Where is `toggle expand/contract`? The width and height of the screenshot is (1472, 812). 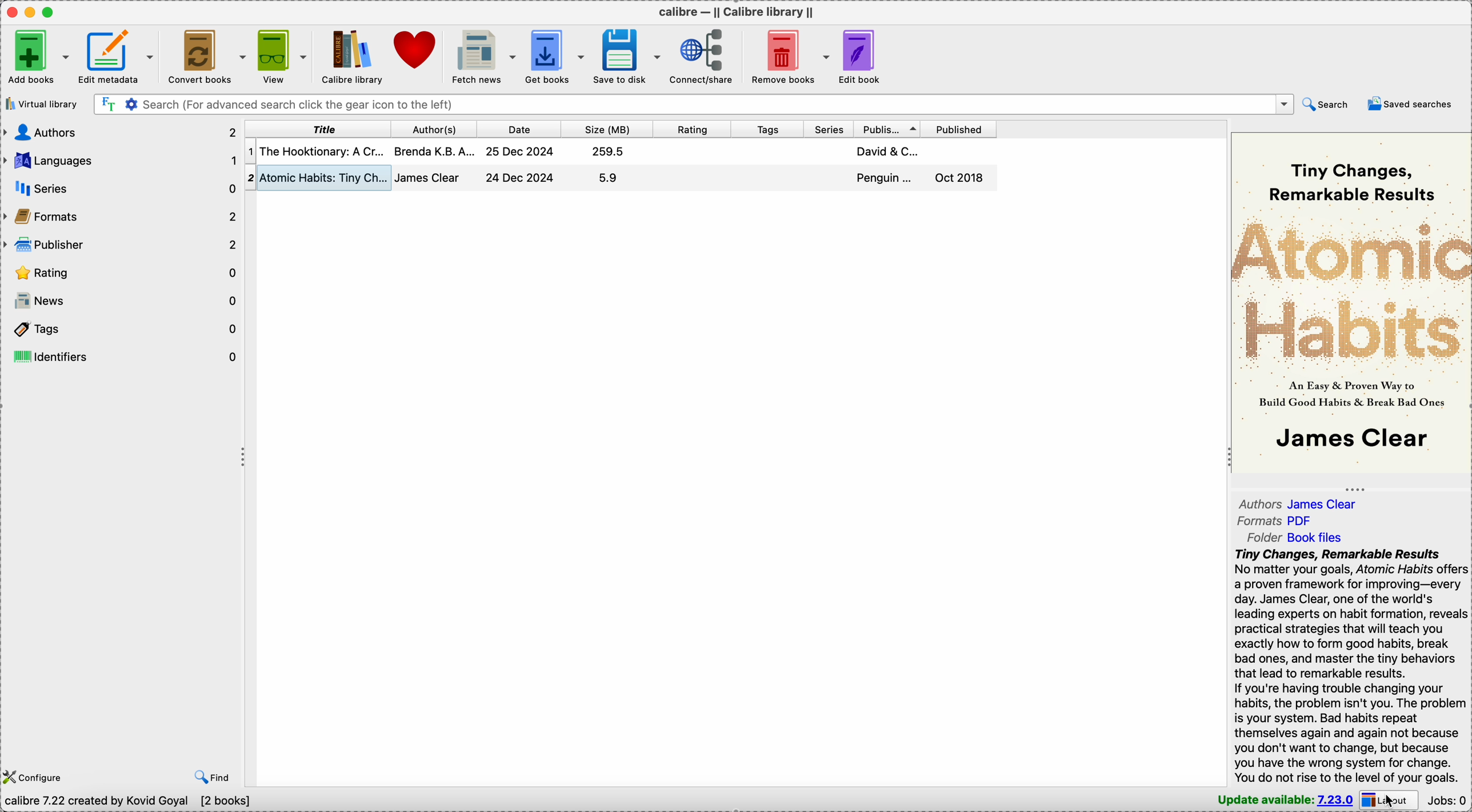
toggle expand/contract is located at coordinates (1354, 489).